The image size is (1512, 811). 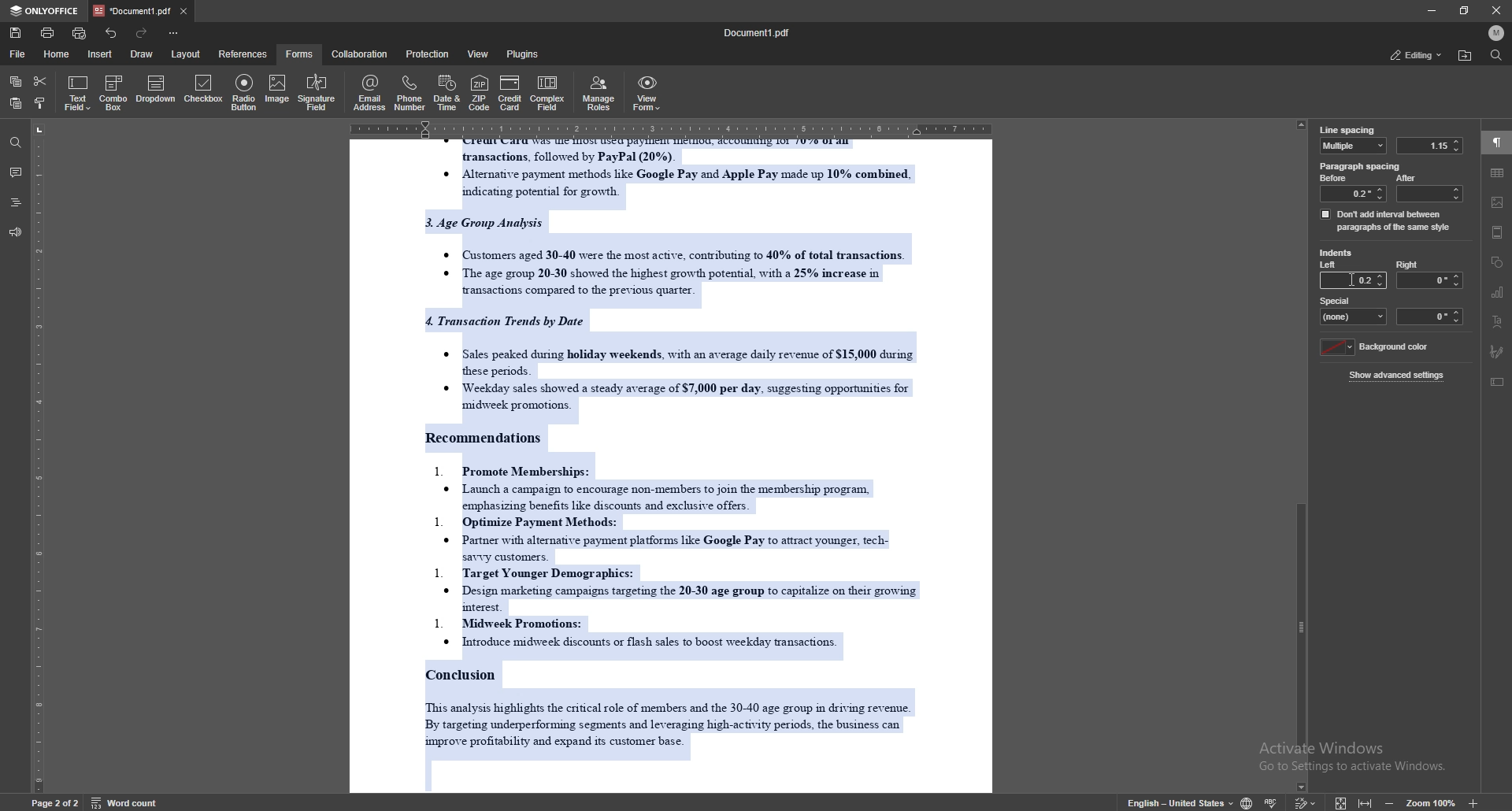 What do you see at coordinates (1353, 280) in the screenshot?
I see `cursor` at bounding box center [1353, 280].